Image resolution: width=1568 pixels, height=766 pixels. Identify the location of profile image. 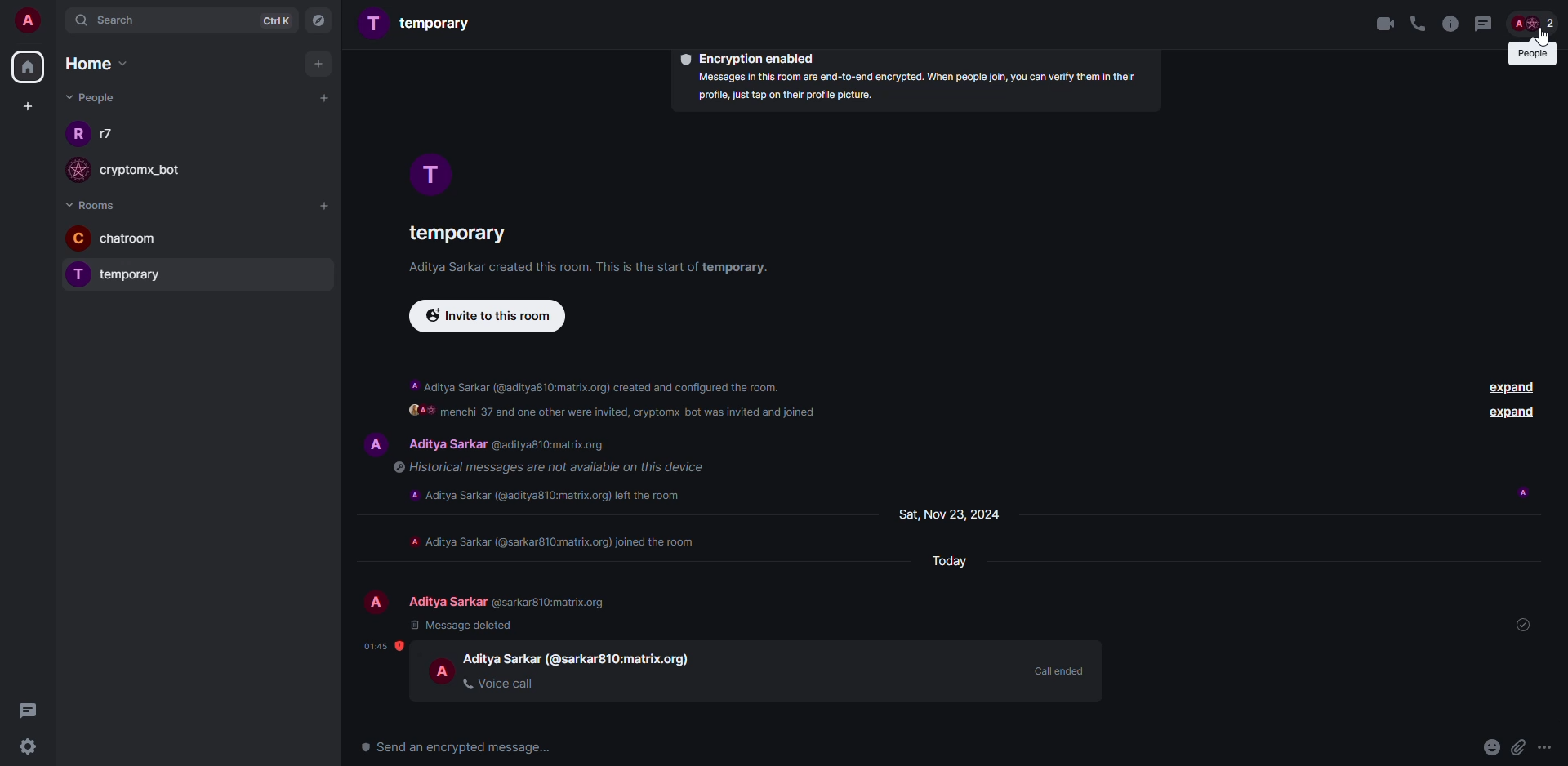
(81, 170).